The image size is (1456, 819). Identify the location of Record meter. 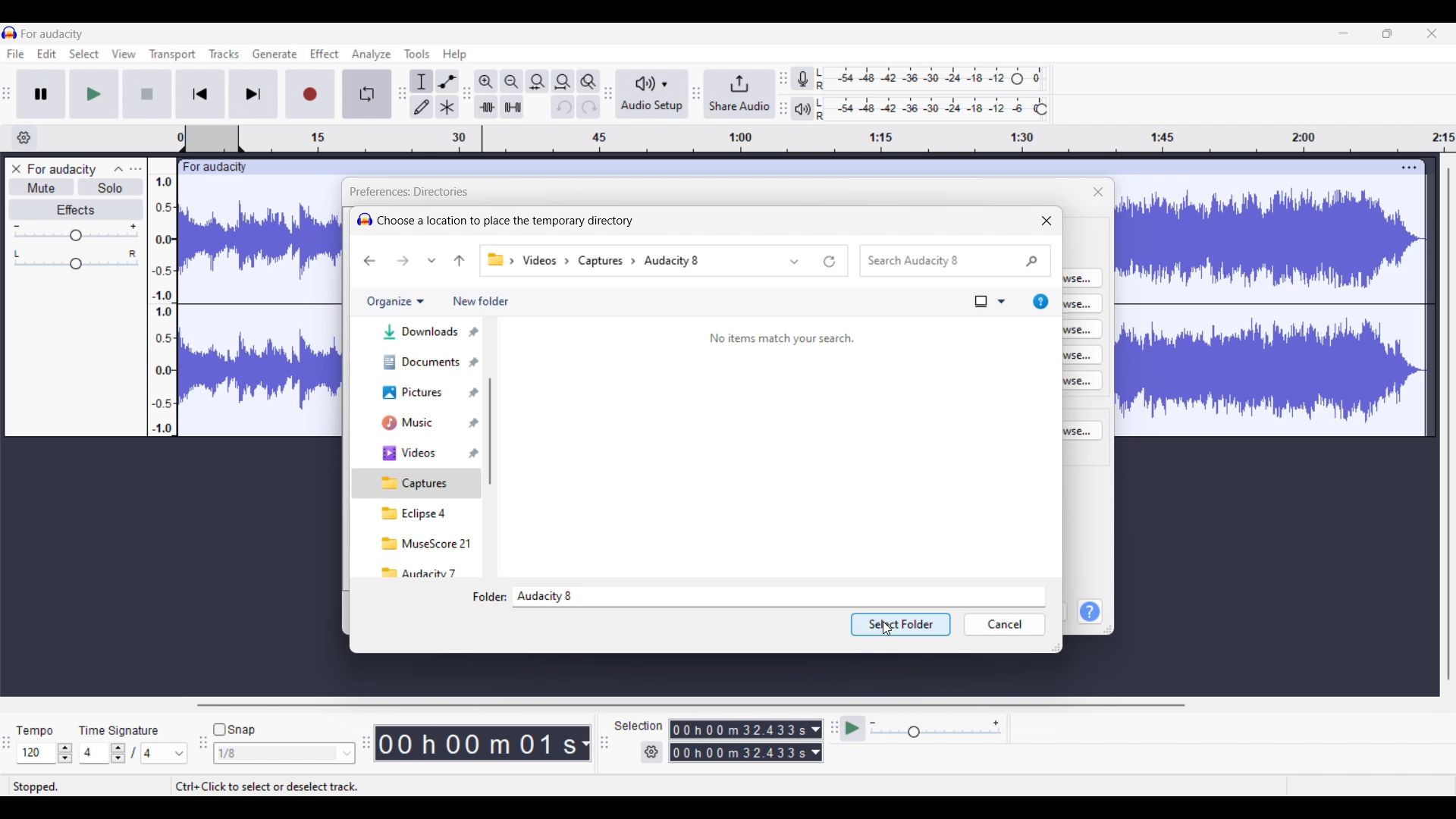
(802, 78).